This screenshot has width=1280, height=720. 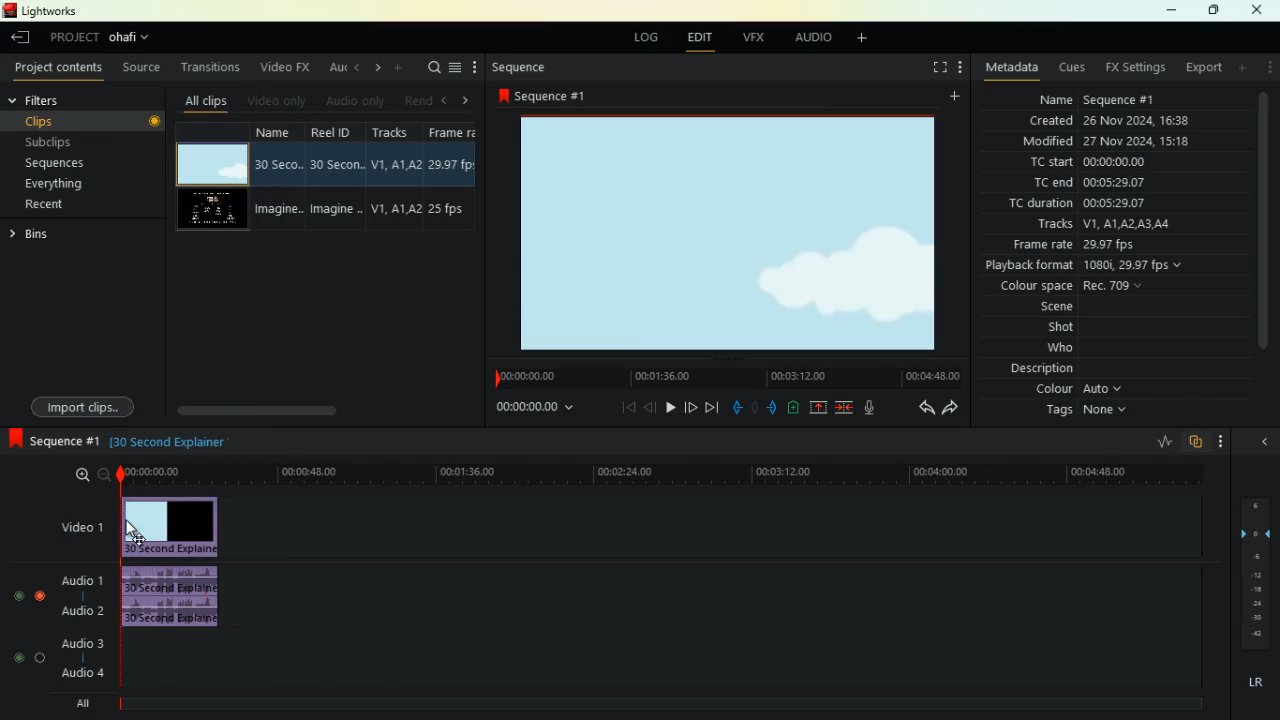 I want to click on video, so click(x=210, y=211).